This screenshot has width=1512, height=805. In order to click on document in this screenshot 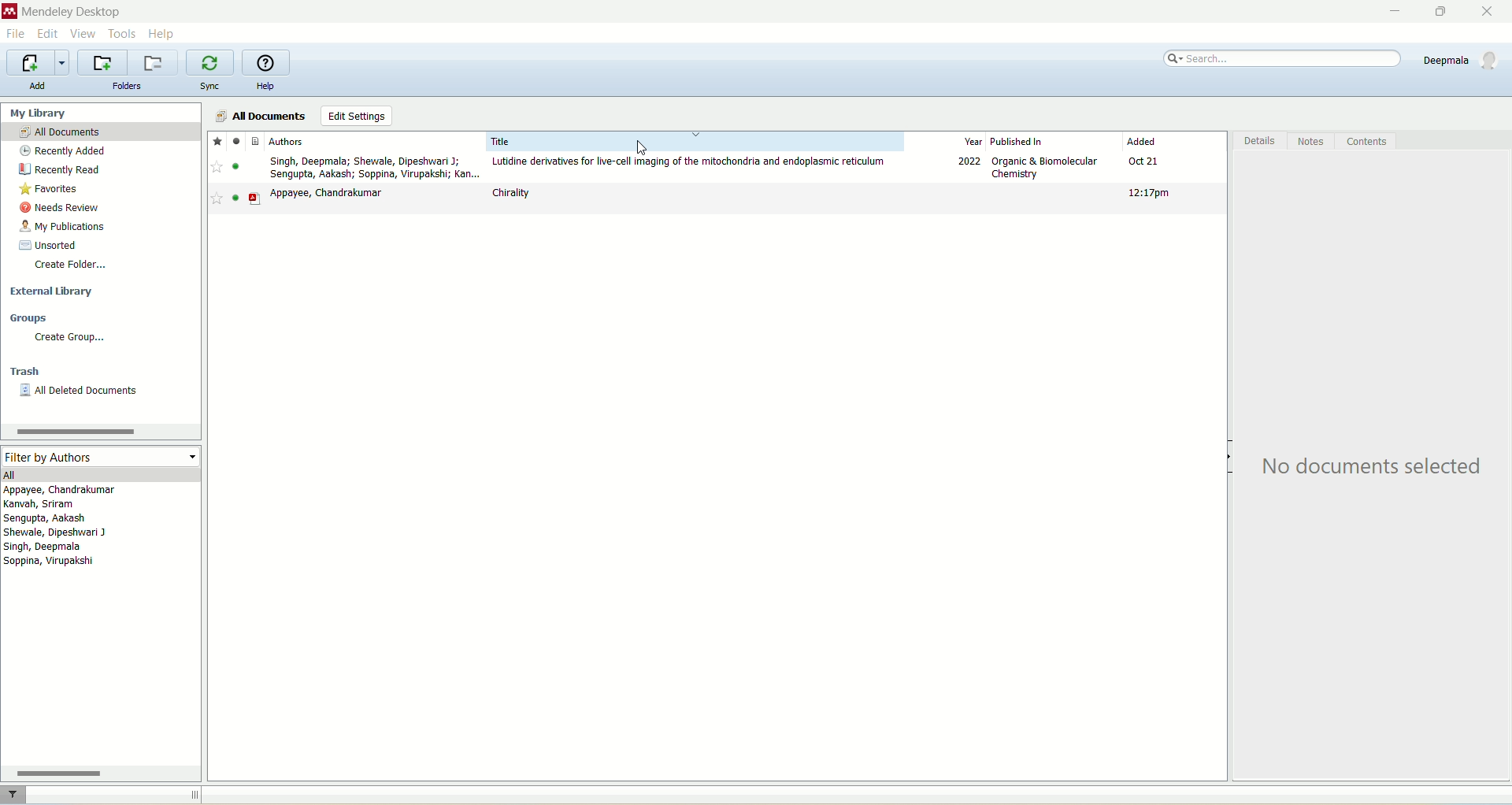, I will do `click(260, 140)`.